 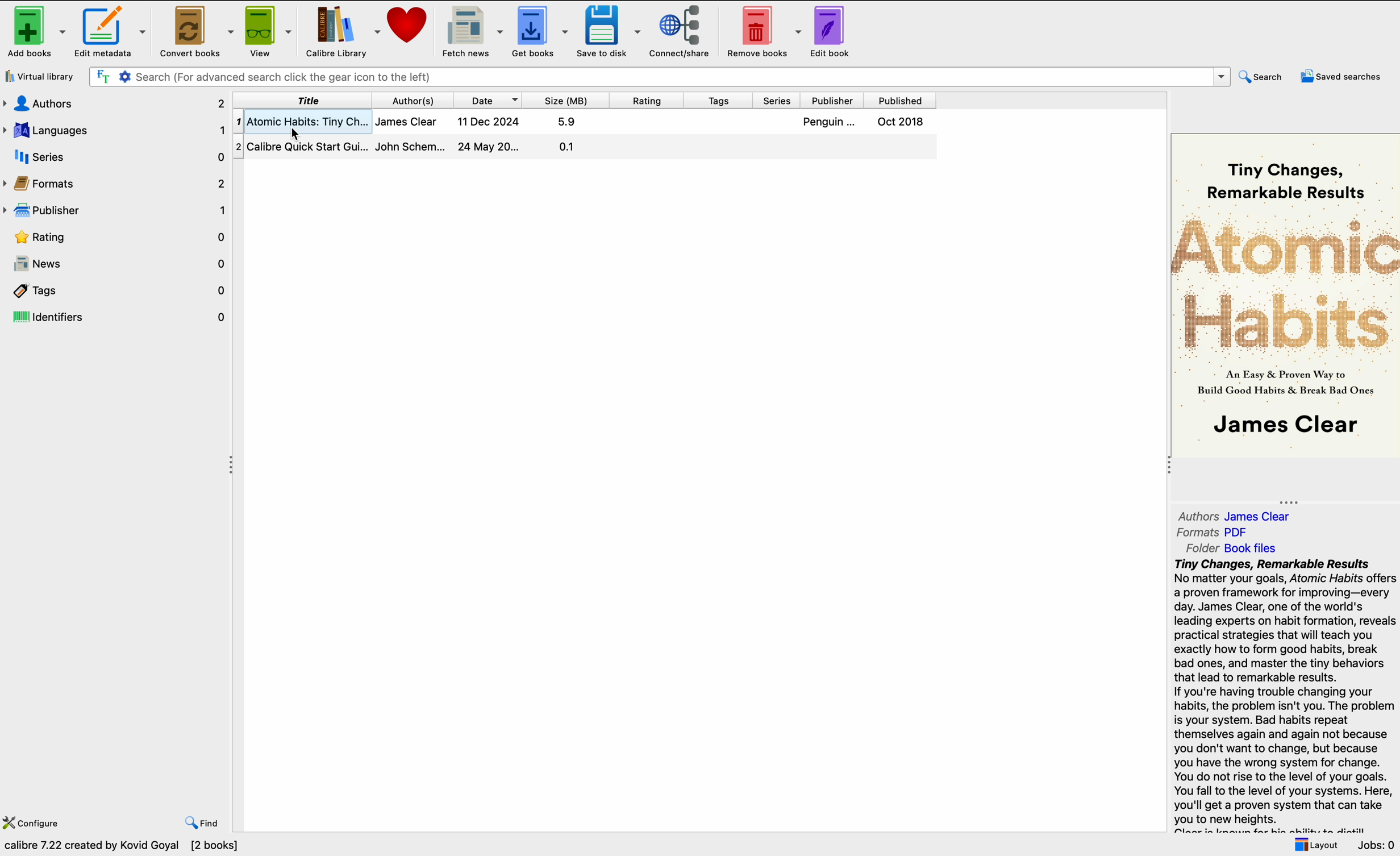 What do you see at coordinates (762, 32) in the screenshot?
I see `remove books` at bounding box center [762, 32].